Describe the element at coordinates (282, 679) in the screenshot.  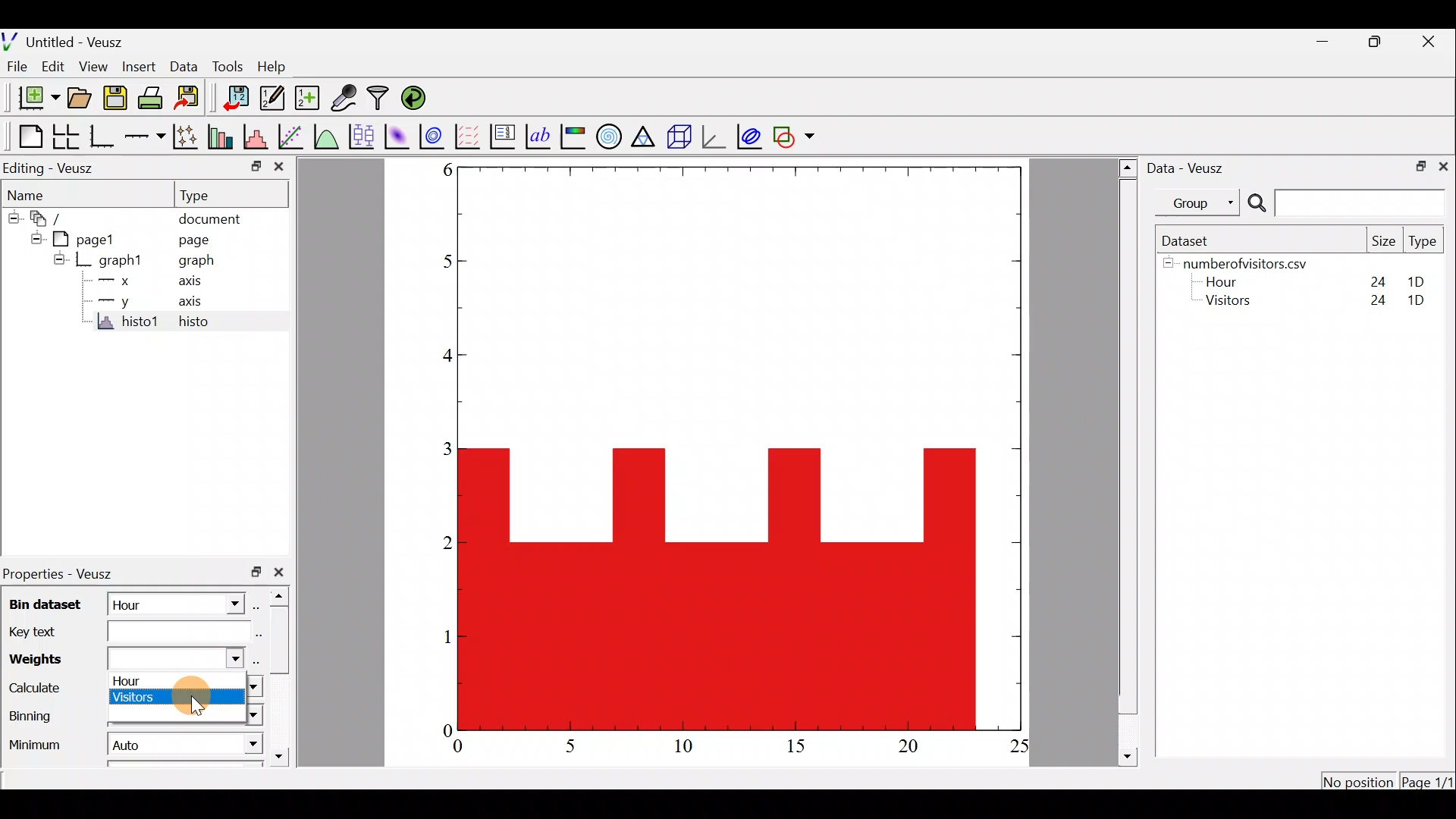
I see `scroll bar` at that location.